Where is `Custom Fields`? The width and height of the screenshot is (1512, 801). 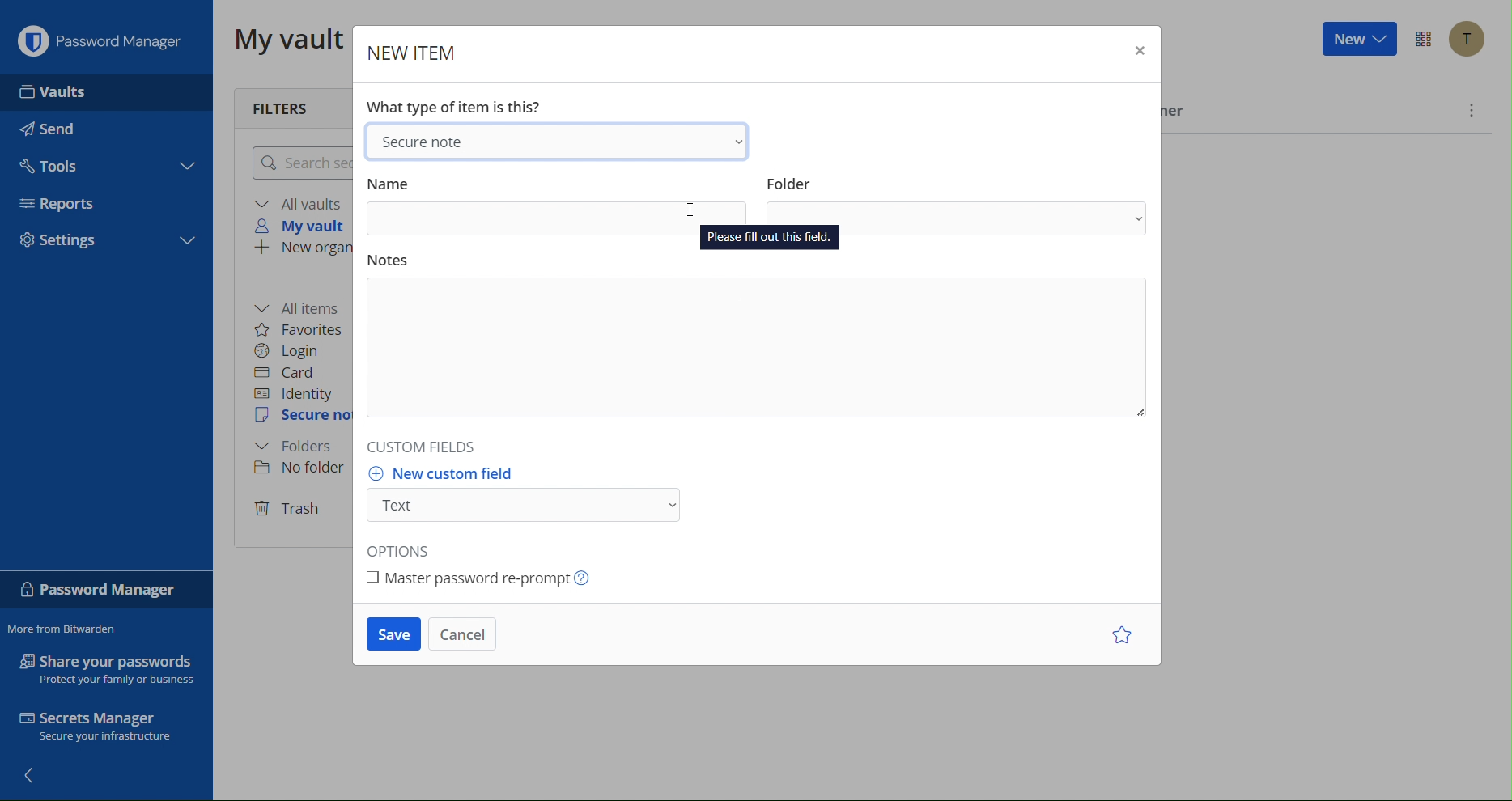 Custom Fields is located at coordinates (436, 450).